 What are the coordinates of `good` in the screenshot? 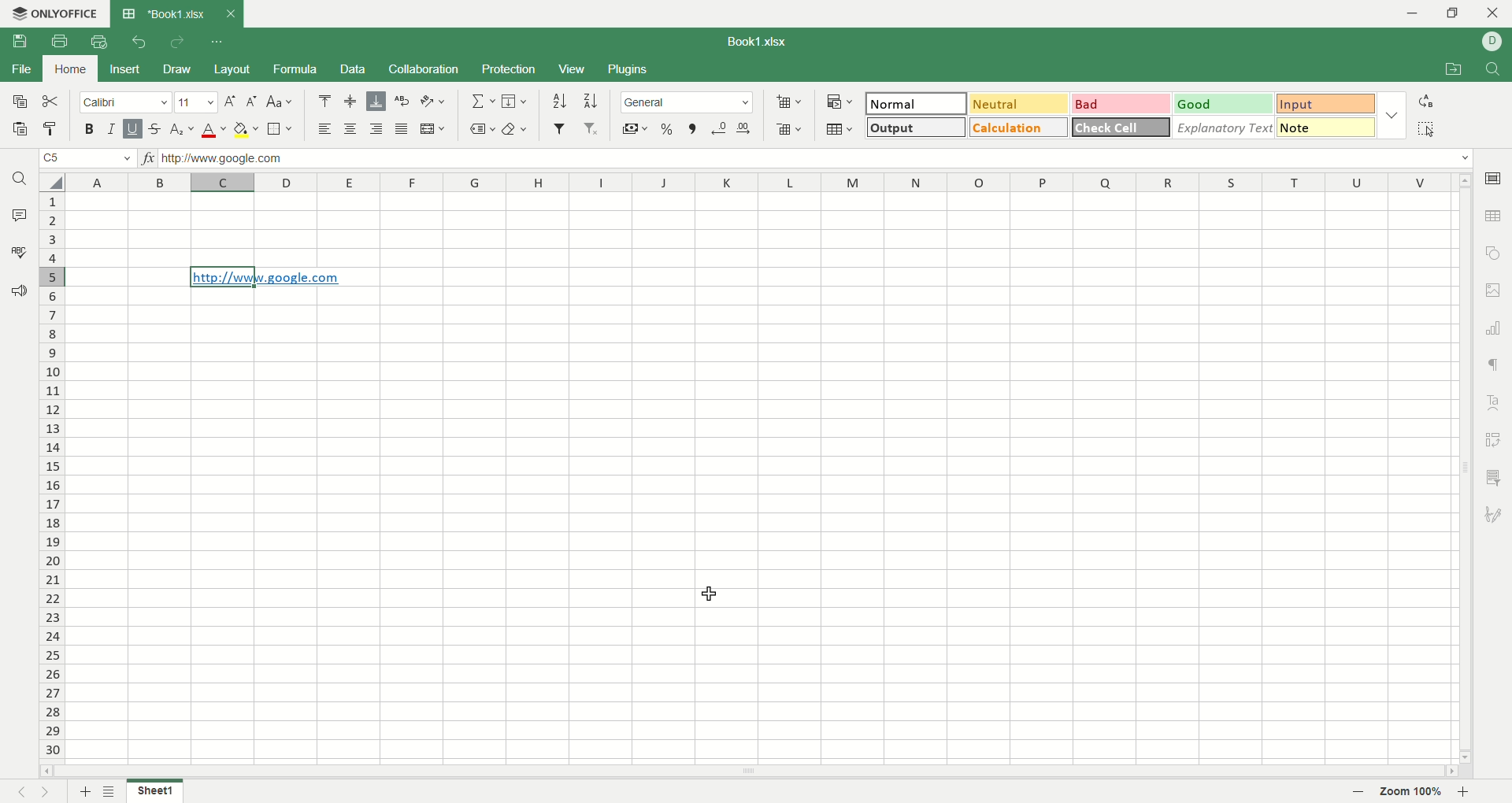 It's located at (1221, 103).